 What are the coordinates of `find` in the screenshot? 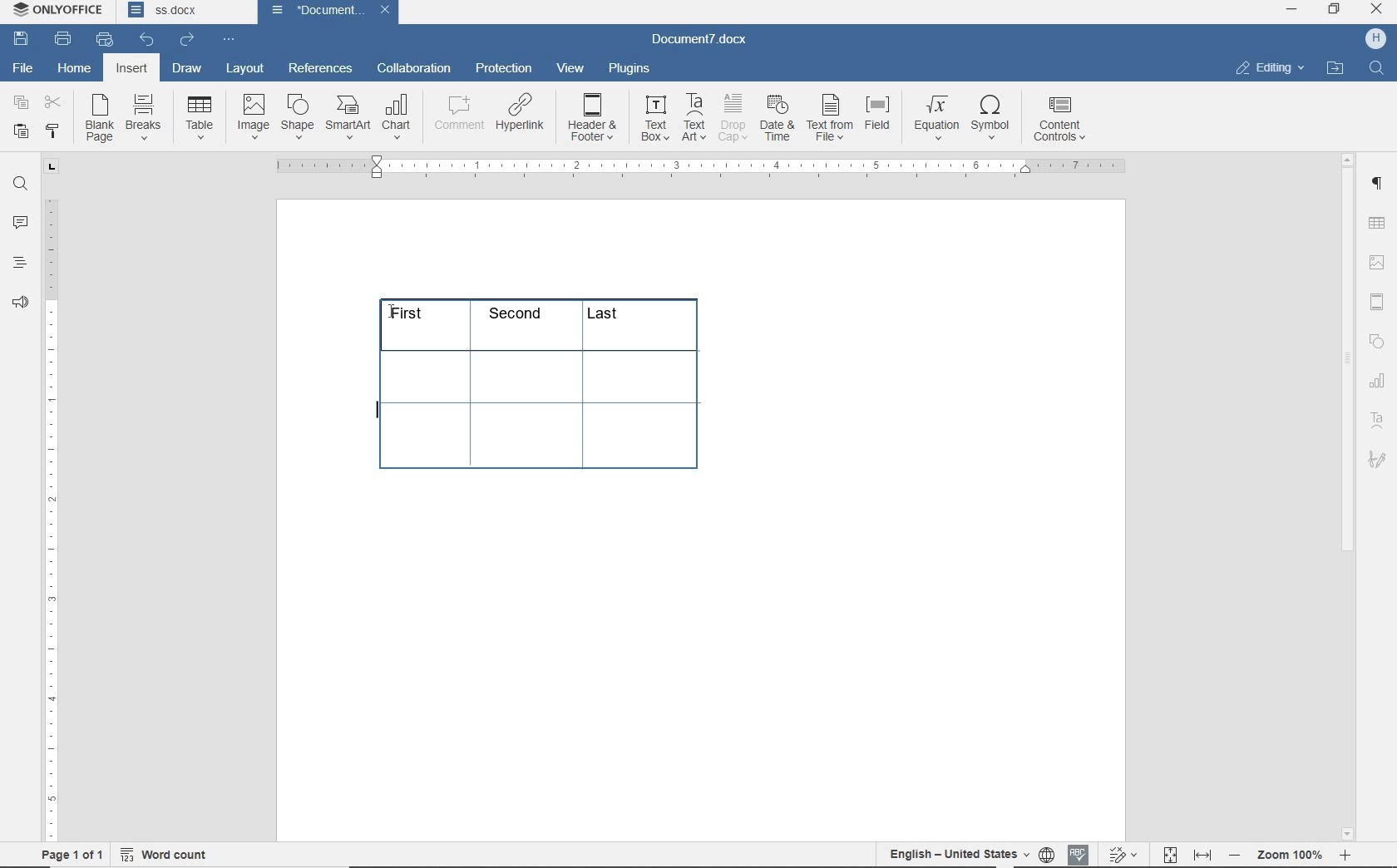 It's located at (20, 184).